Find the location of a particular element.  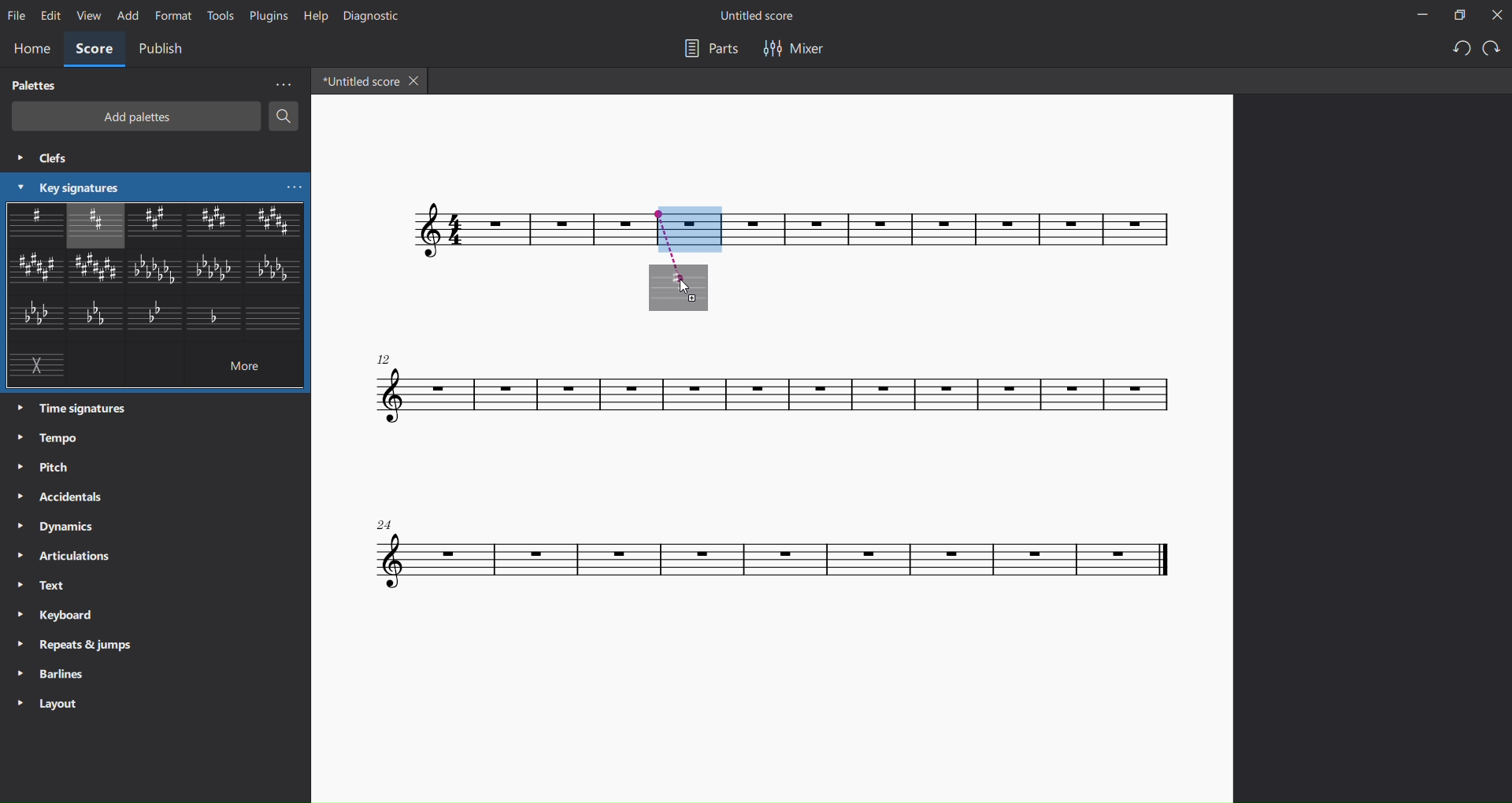

plugins is located at coordinates (266, 16).